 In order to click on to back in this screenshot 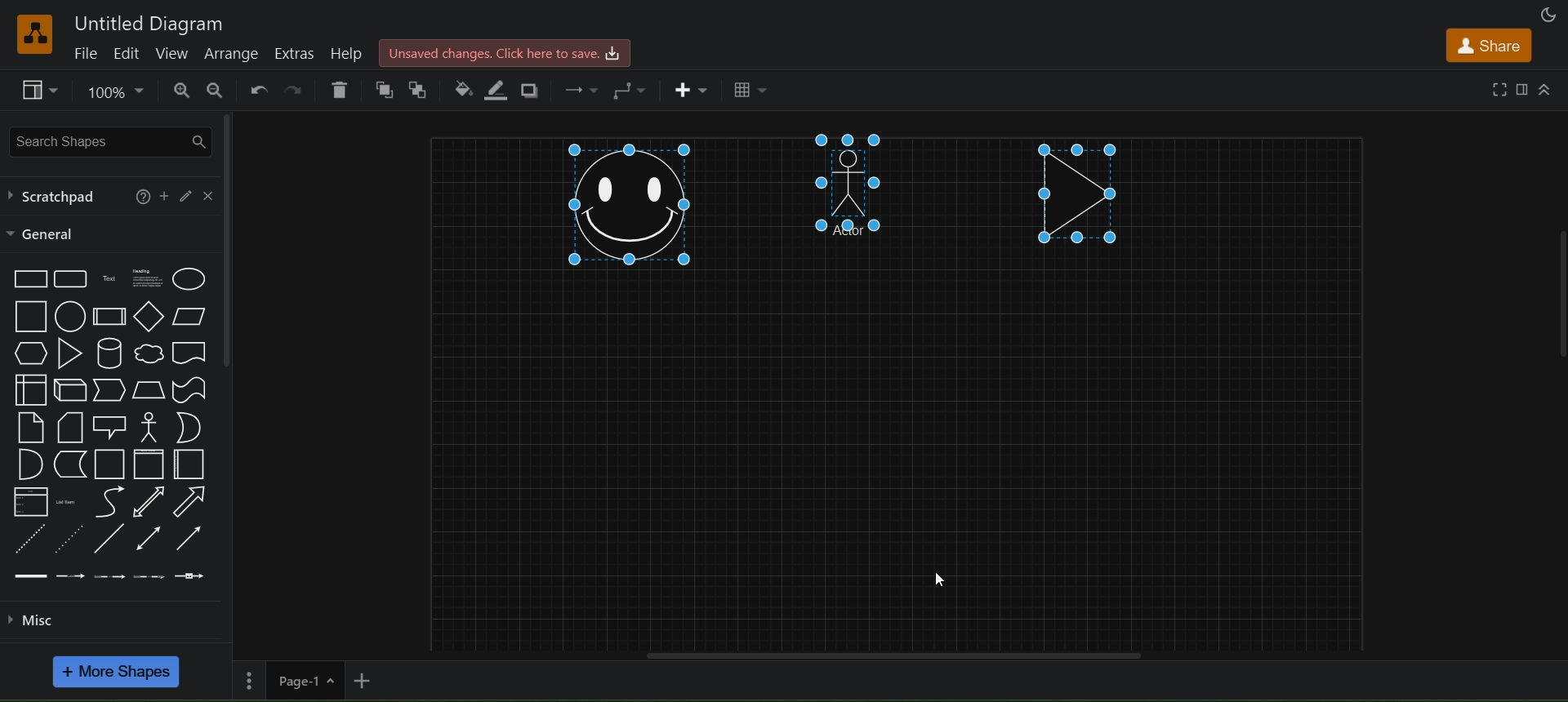, I will do `click(425, 87)`.